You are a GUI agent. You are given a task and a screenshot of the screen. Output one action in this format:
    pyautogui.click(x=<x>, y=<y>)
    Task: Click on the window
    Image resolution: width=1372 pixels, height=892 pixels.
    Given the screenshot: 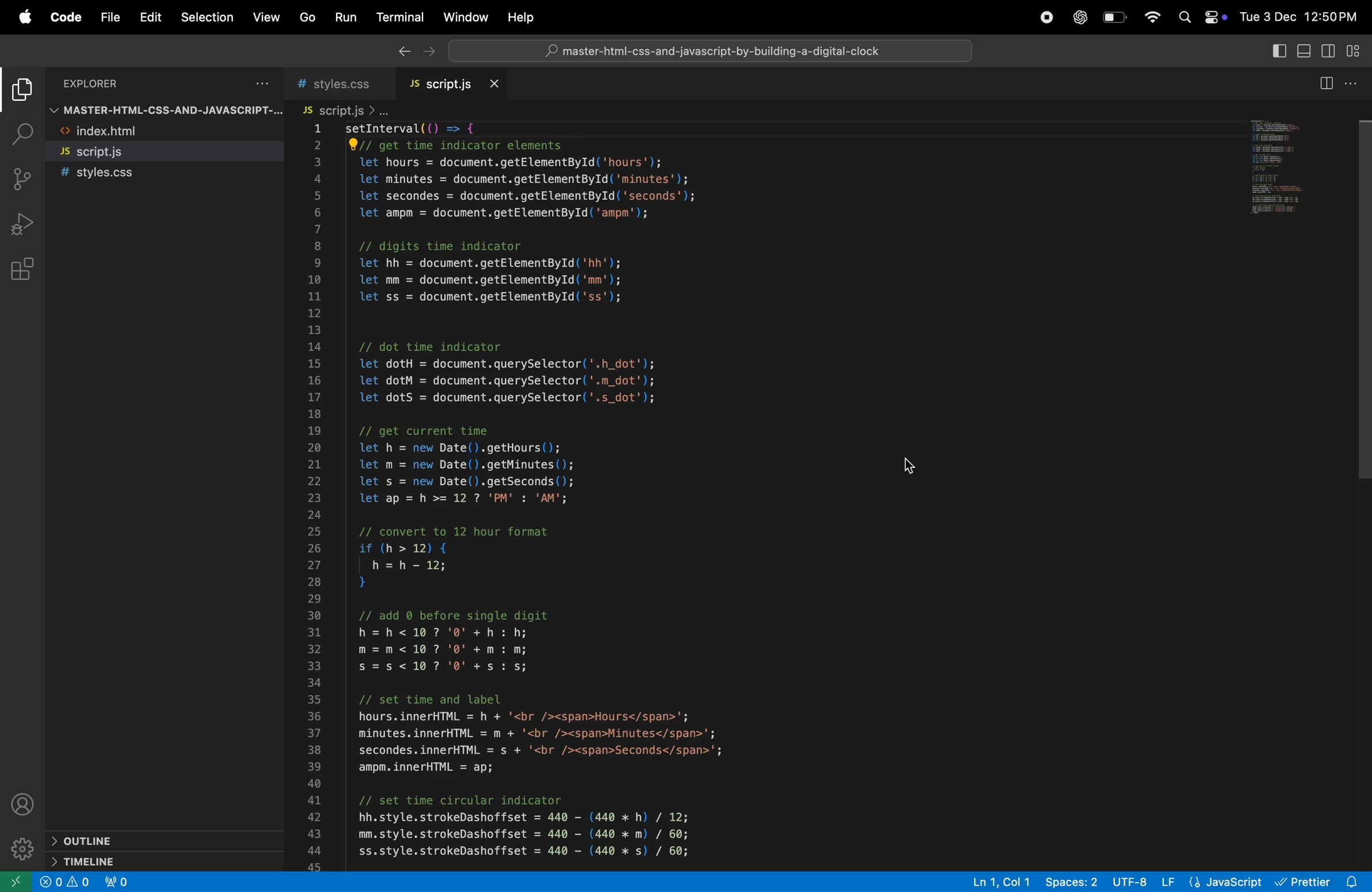 What is the action you would take?
    pyautogui.click(x=466, y=17)
    